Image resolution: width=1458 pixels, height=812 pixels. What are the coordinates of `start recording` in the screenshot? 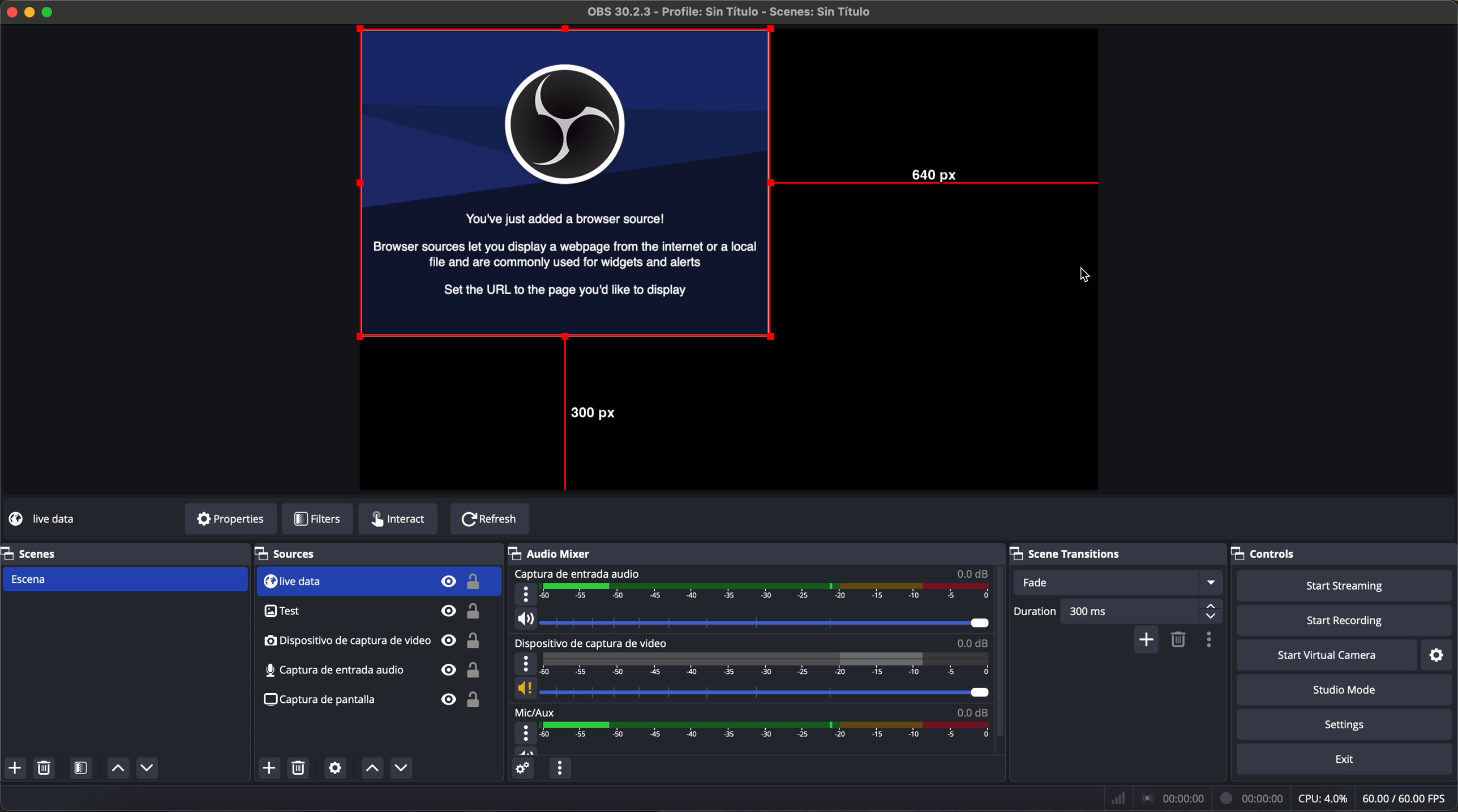 It's located at (1345, 622).